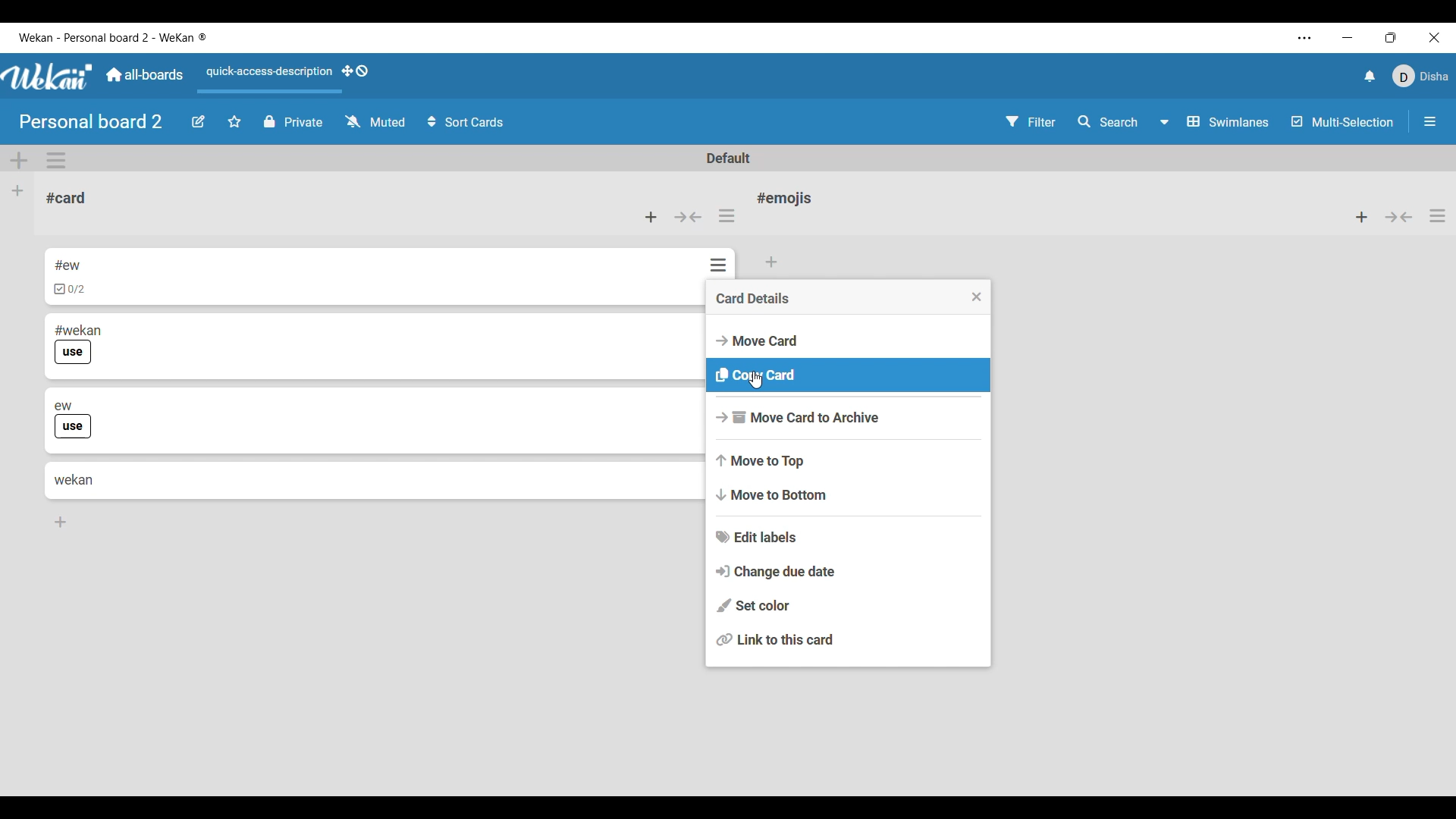 The width and height of the screenshot is (1456, 819). Describe the element at coordinates (726, 215) in the screenshot. I see `List actions` at that location.